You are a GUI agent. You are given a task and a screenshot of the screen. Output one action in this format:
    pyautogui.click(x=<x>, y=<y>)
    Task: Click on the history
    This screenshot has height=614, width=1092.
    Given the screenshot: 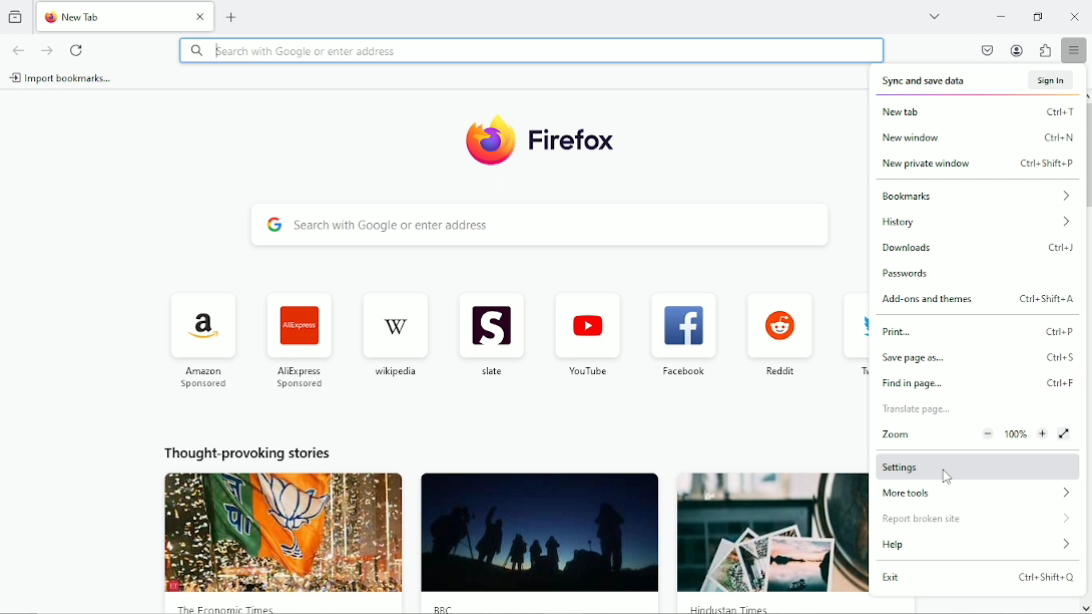 What is the action you would take?
    pyautogui.click(x=981, y=222)
    